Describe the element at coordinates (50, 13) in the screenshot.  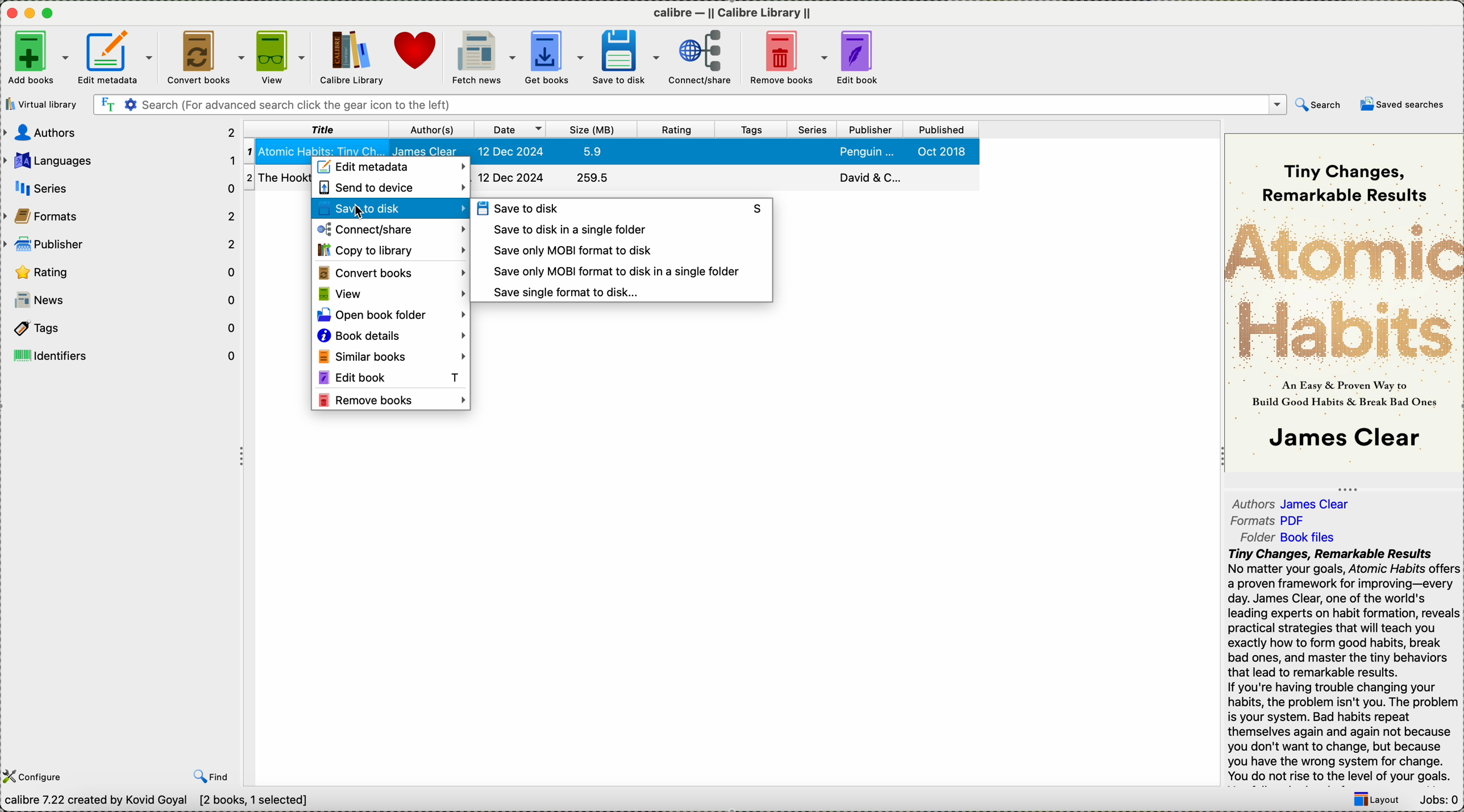
I see `maximize` at that location.